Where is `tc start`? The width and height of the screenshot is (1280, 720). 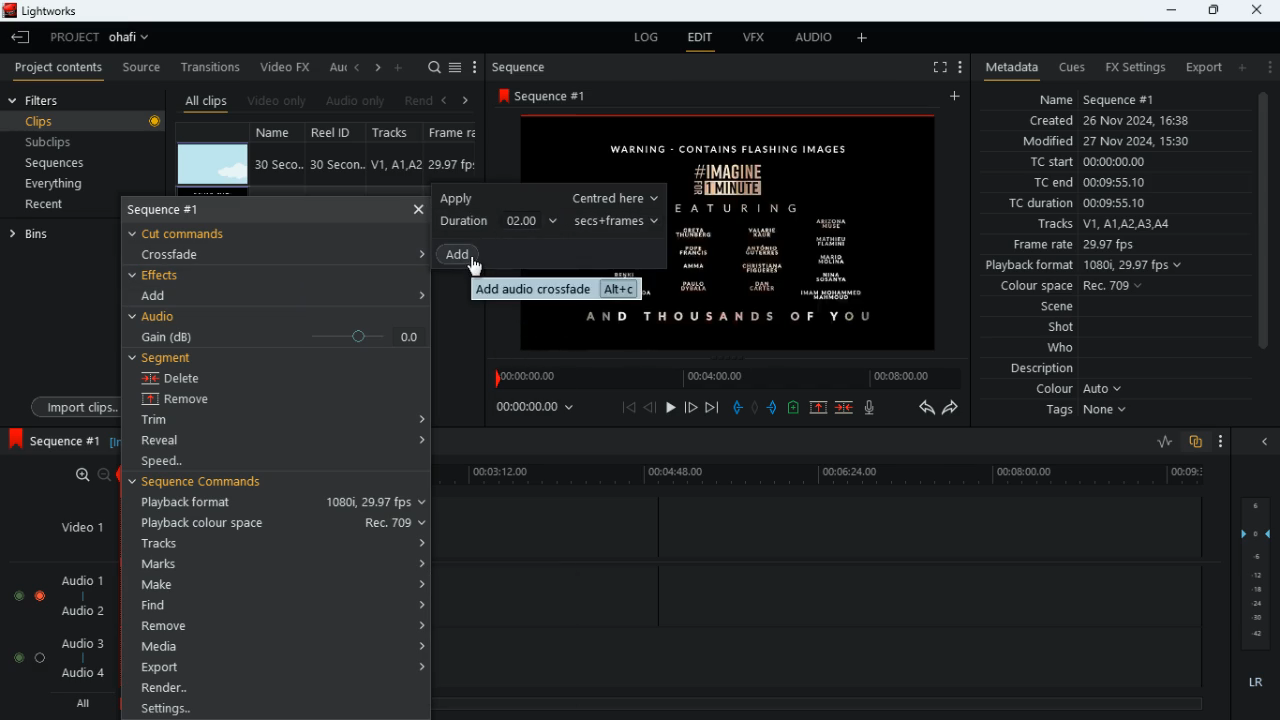 tc start is located at coordinates (1086, 163).